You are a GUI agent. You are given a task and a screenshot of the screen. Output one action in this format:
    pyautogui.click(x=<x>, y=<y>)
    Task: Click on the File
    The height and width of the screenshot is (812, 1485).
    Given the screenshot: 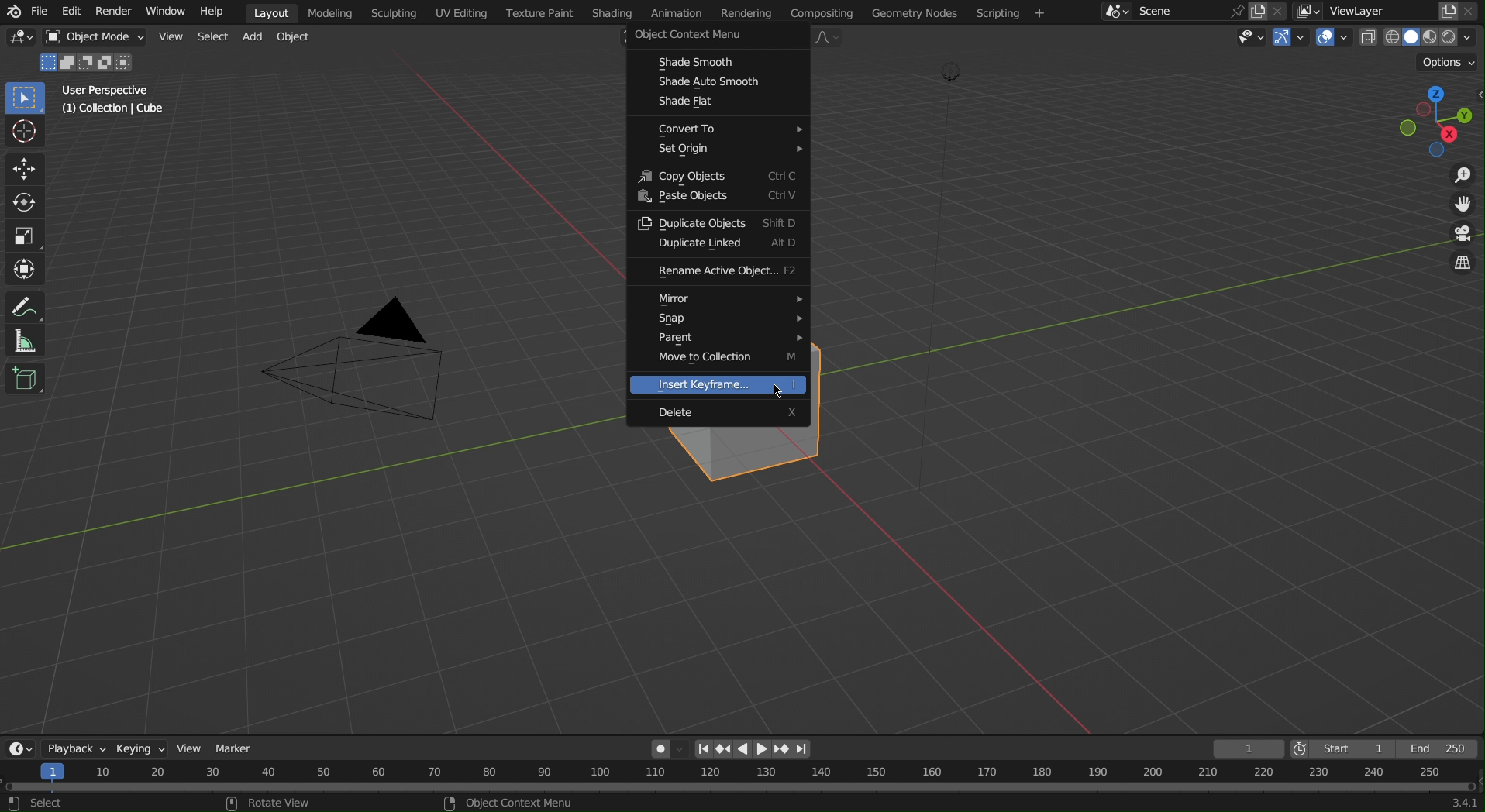 What is the action you would take?
    pyautogui.click(x=40, y=14)
    